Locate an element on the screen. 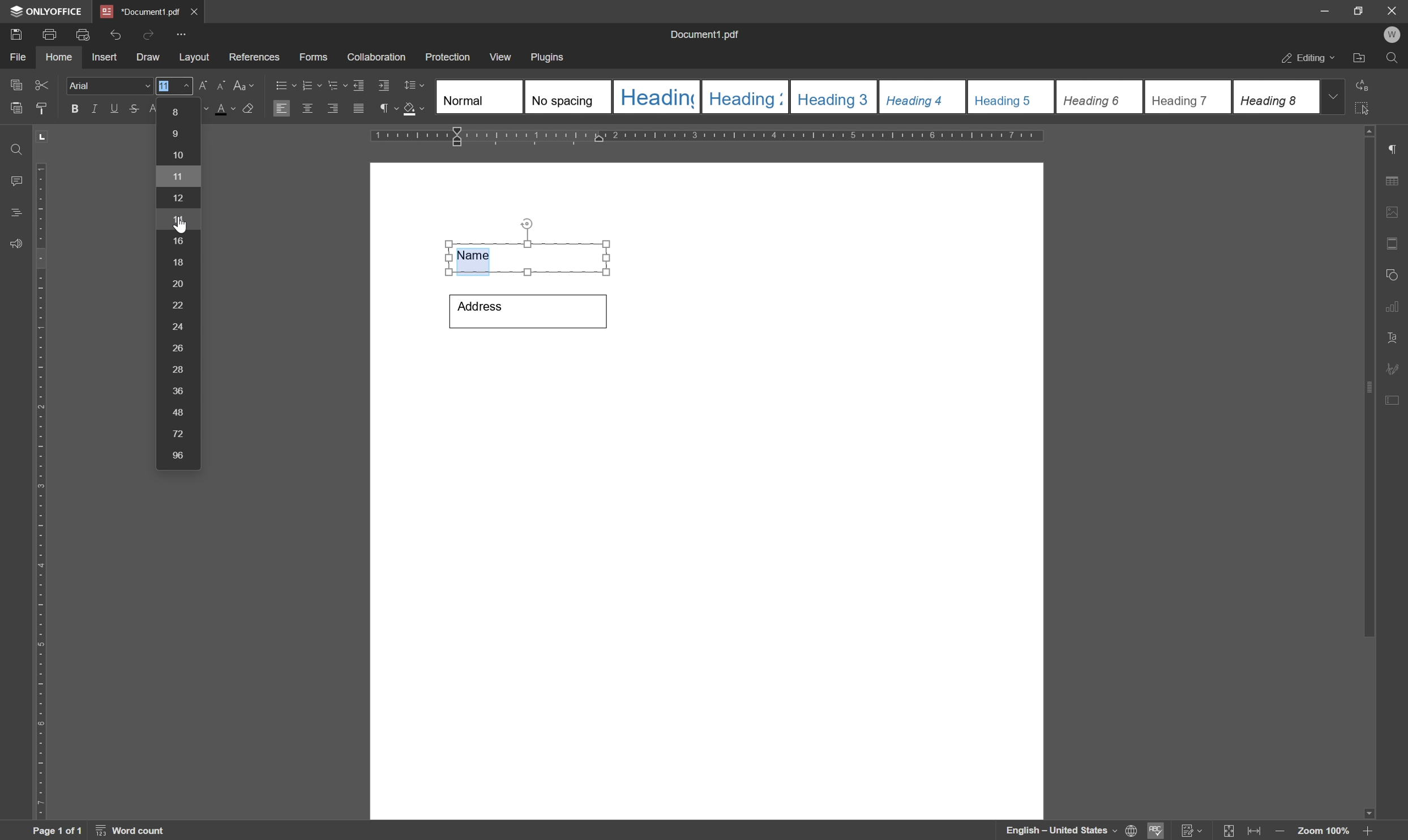 The image size is (1408, 840). minimize is located at coordinates (1319, 10).